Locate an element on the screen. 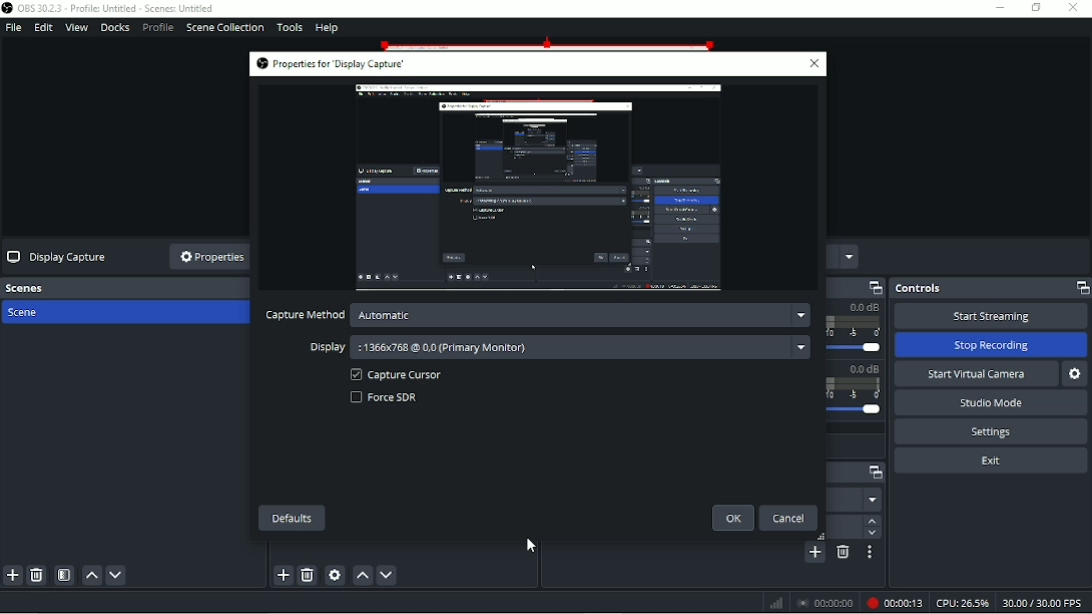  Cancel is located at coordinates (788, 518).